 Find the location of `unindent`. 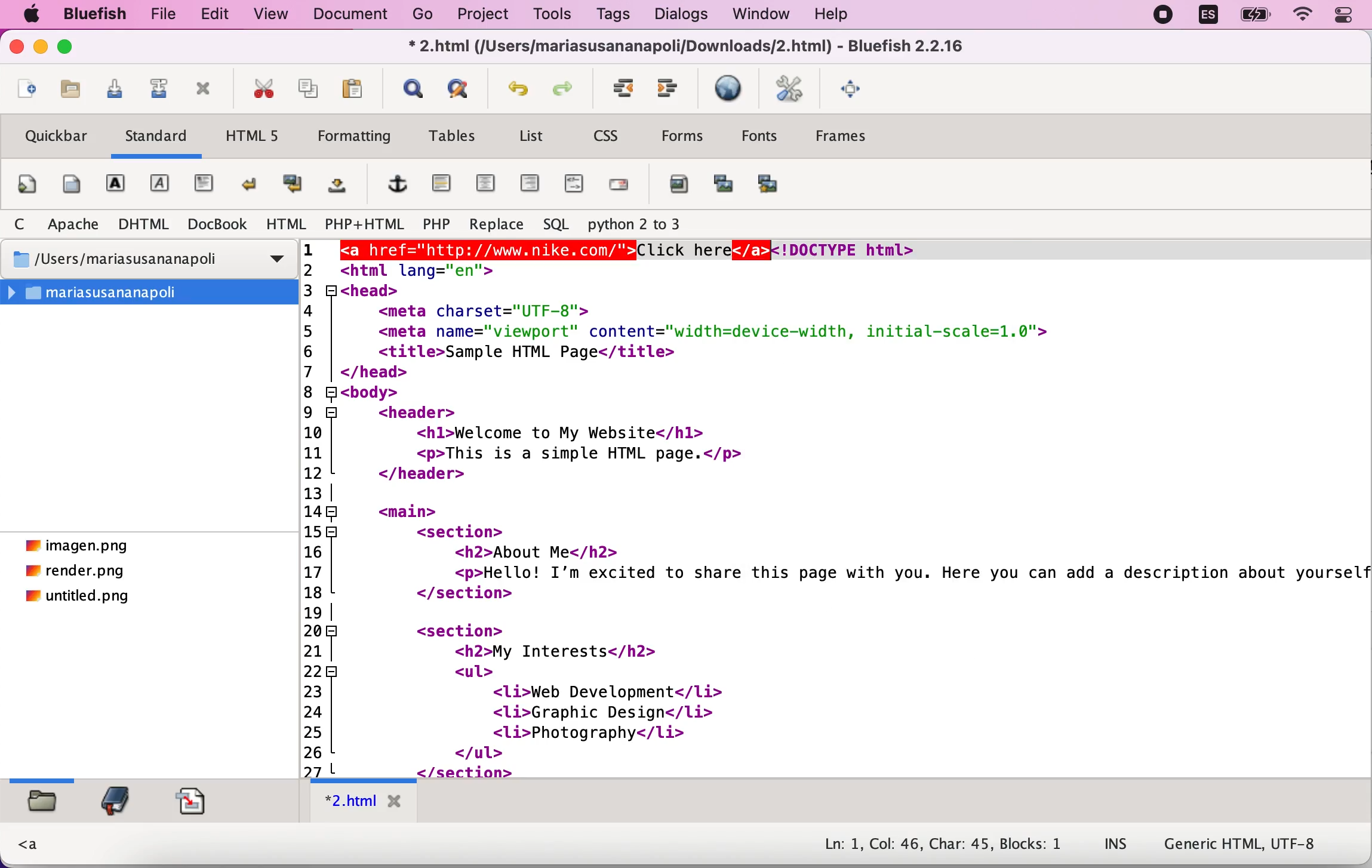

unindent is located at coordinates (627, 90).